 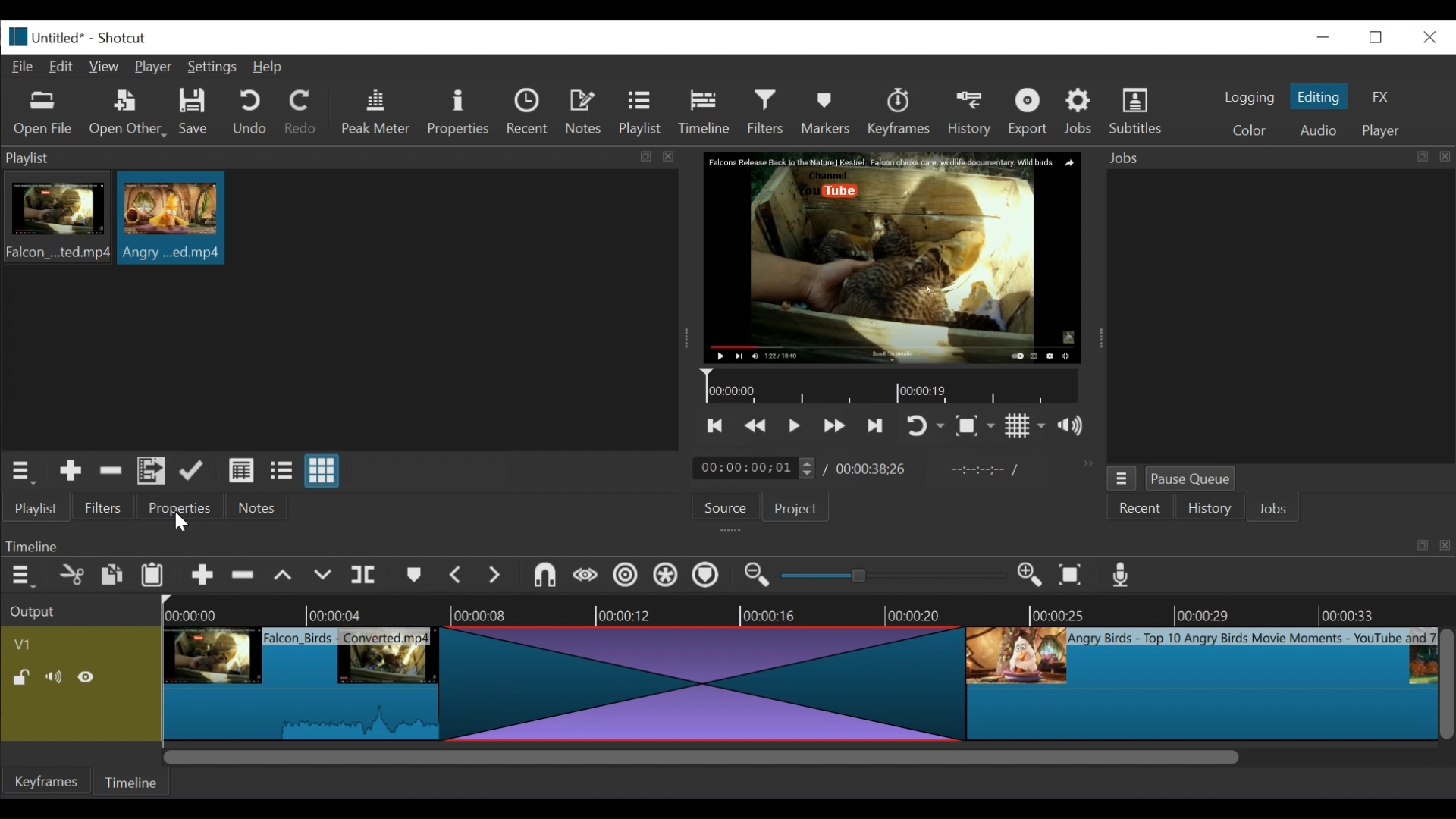 What do you see at coordinates (366, 576) in the screenshot?
I see `split at playhead` at bounding box center [366, 576].